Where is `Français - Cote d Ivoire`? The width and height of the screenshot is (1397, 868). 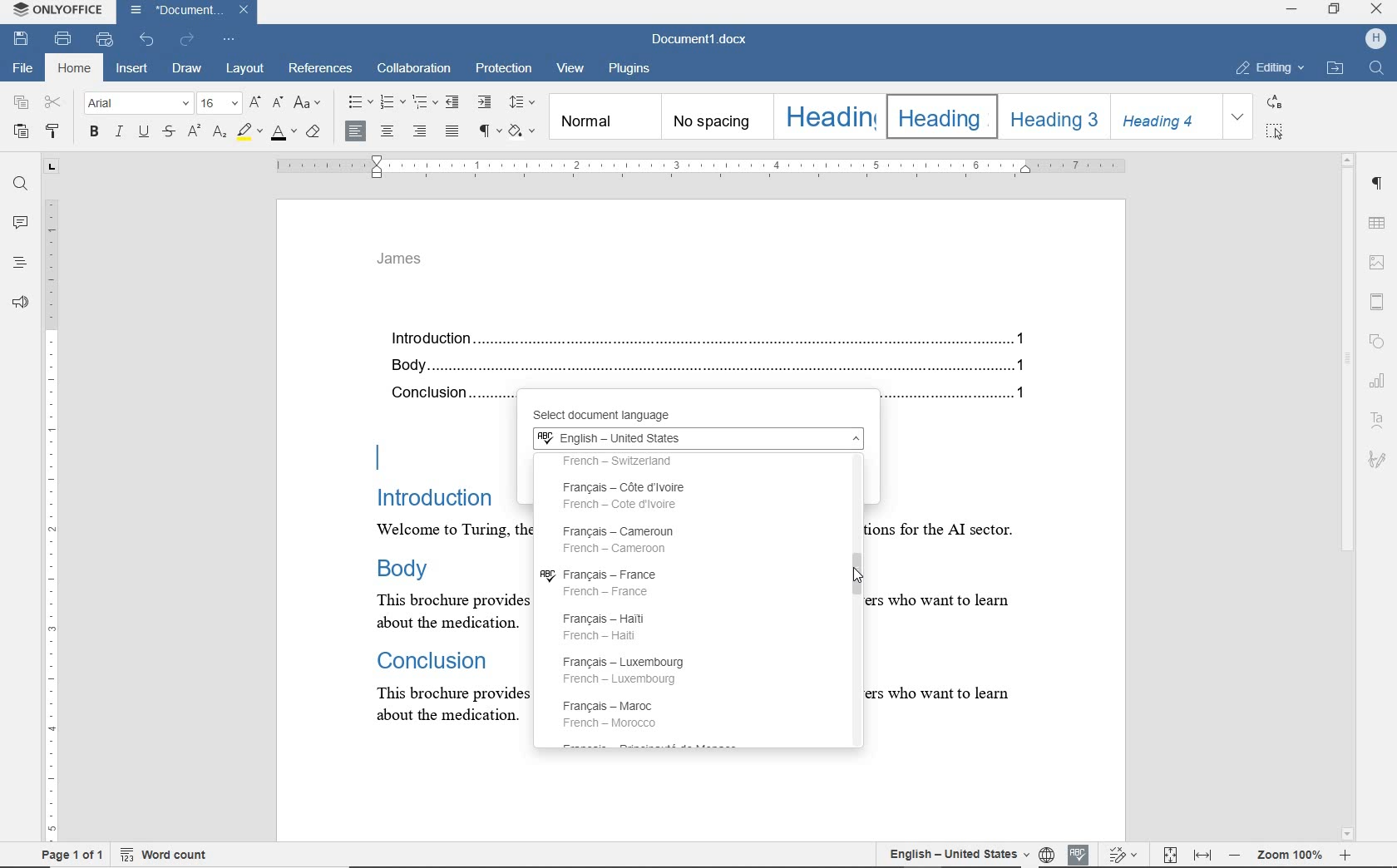 Français - Cote d Ivoire is located at coordinates (639, 496).